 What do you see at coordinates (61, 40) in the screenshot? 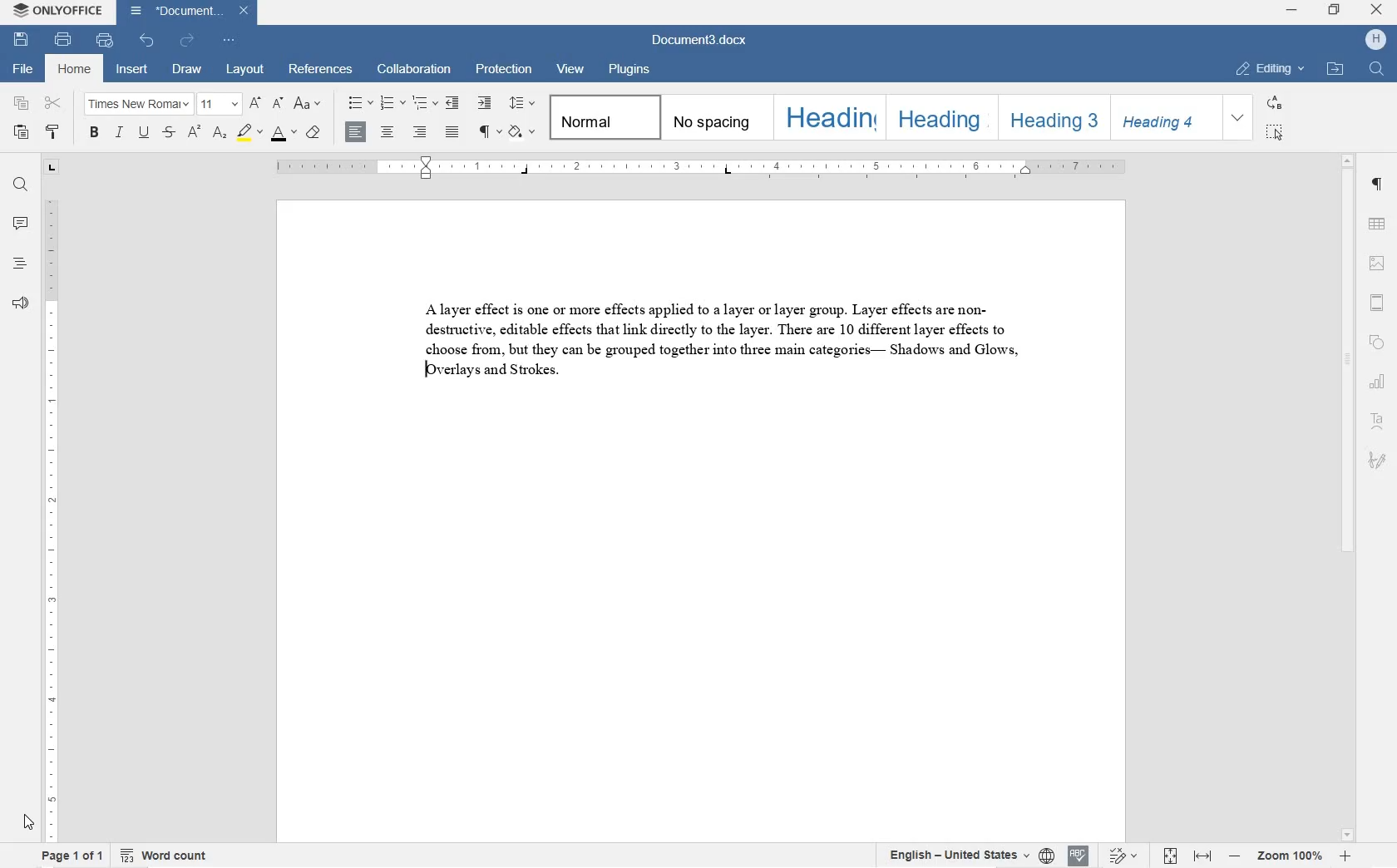
I see `print` at bounding box center [61, 40].